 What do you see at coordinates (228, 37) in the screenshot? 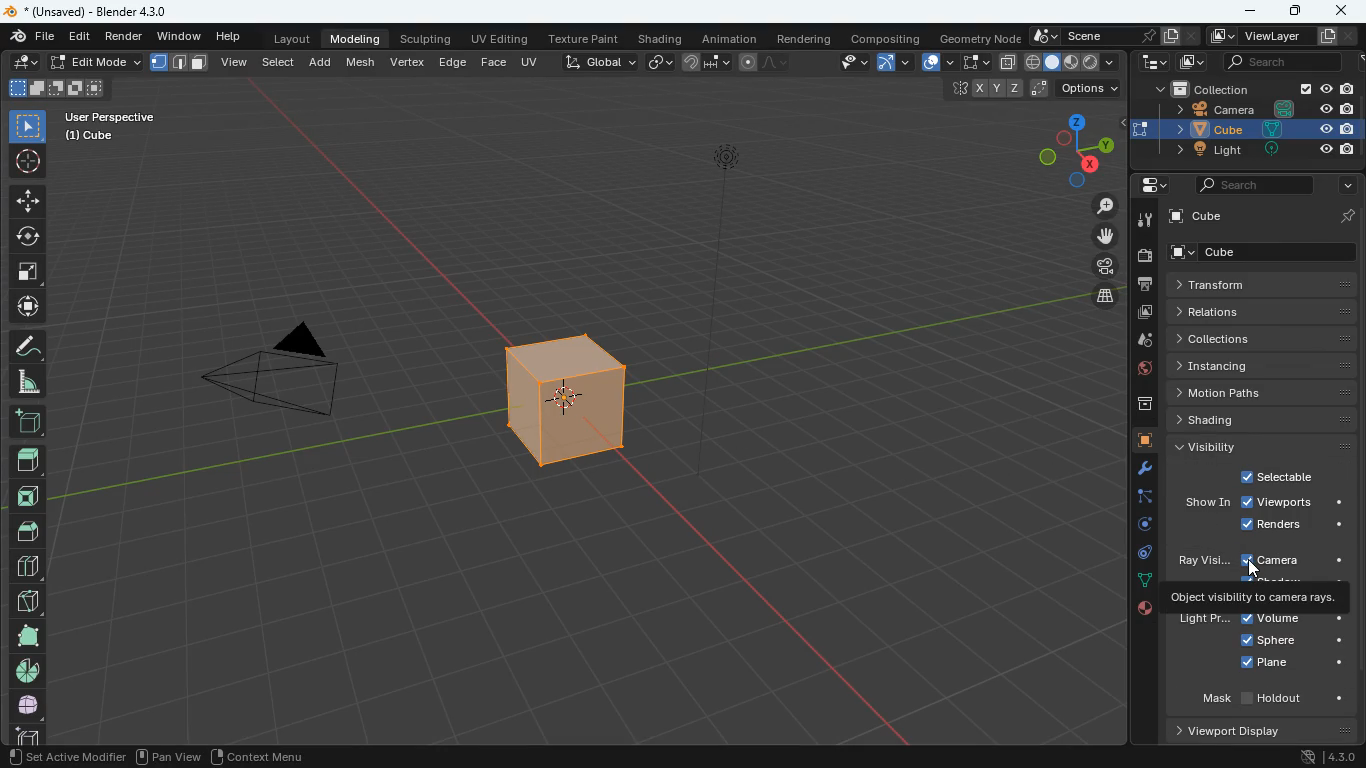
I see `help` at bounding box center [228, 37].